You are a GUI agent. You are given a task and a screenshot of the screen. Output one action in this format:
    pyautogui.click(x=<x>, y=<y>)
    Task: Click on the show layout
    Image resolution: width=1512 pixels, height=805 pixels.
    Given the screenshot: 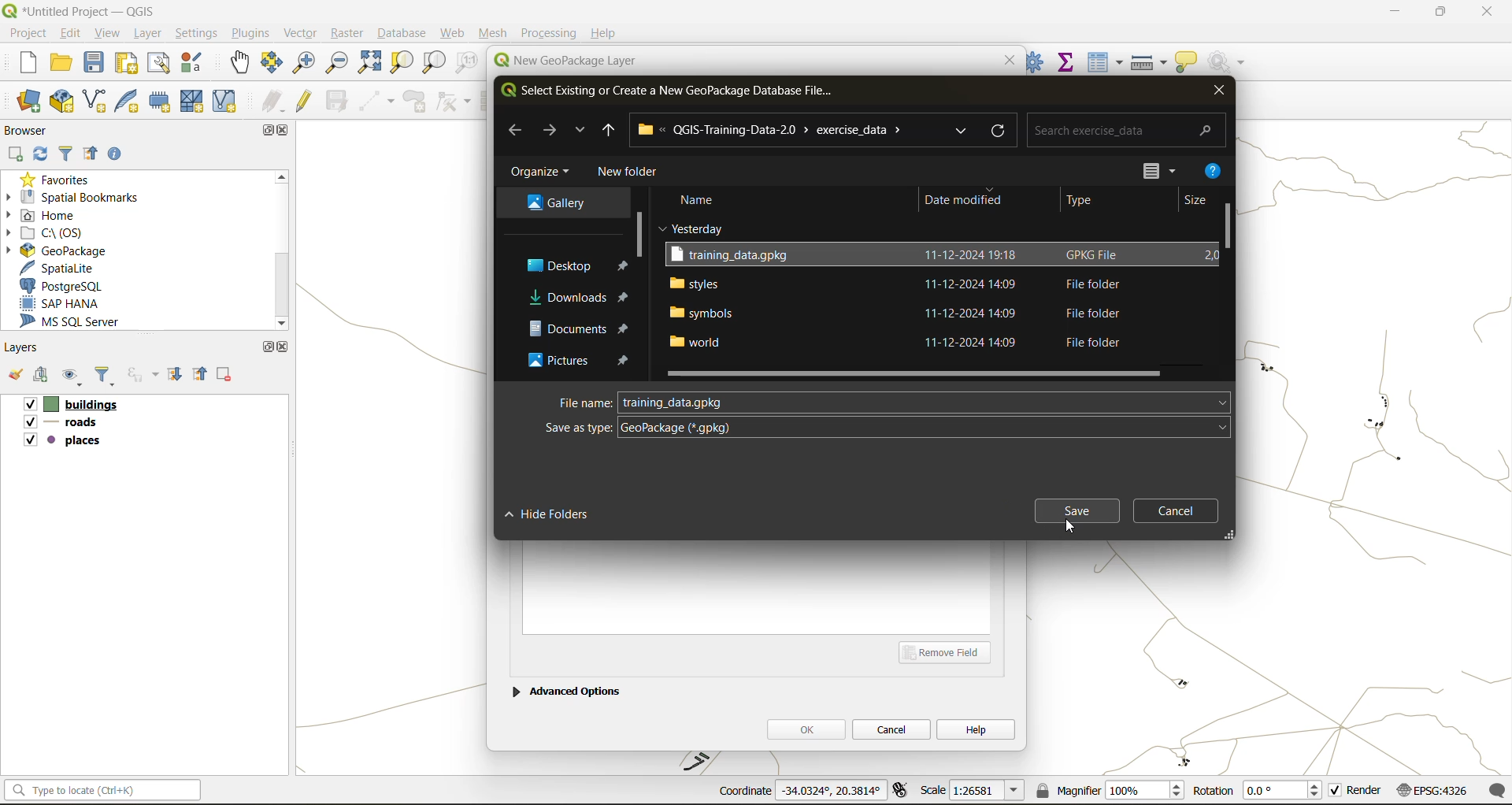 What is the action you would take?
    pyautogui.click(x=160, y=63)
    